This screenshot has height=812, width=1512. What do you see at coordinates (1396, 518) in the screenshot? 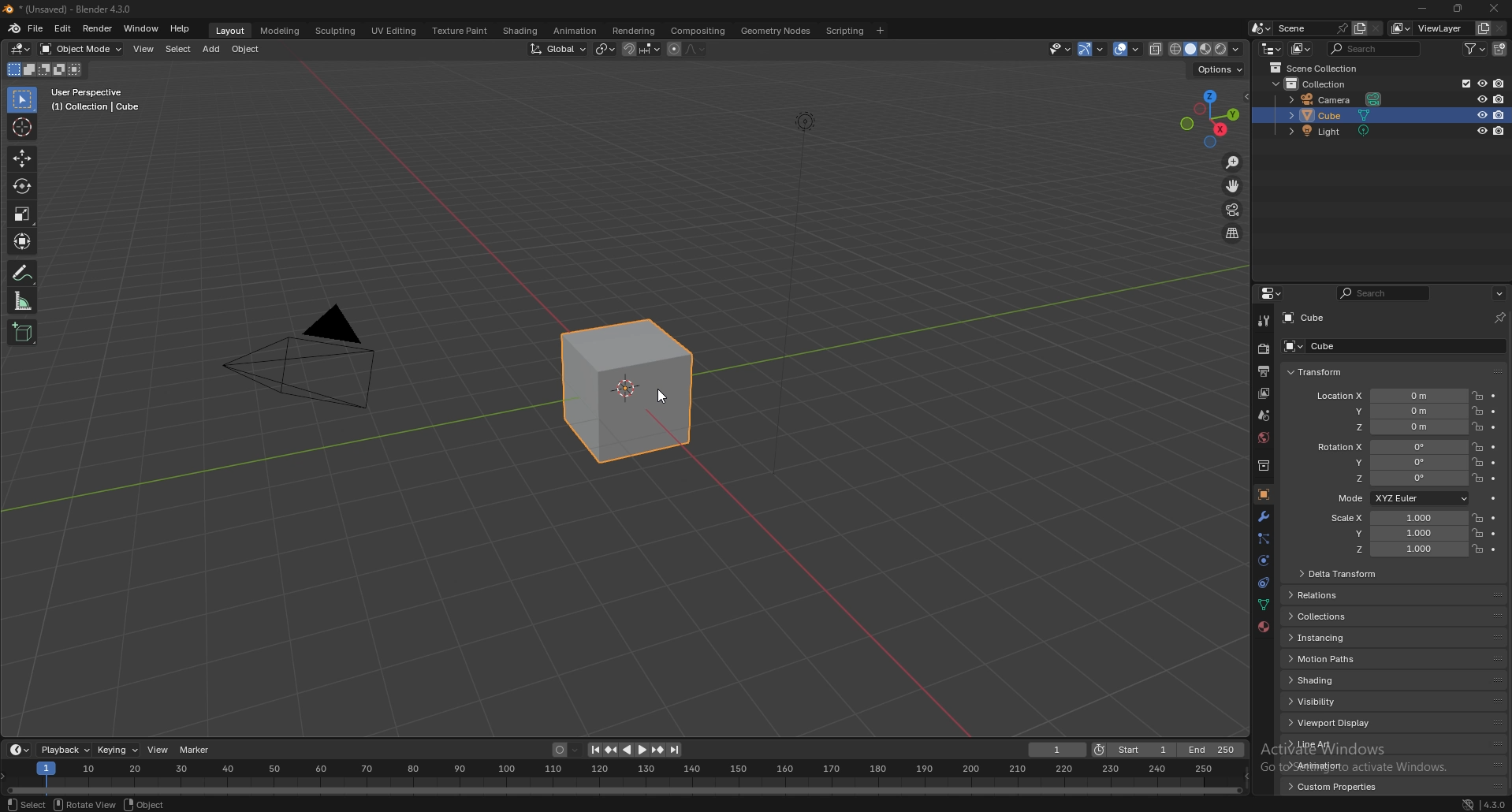
I see `scale x` at bounding box center [1396, 518].